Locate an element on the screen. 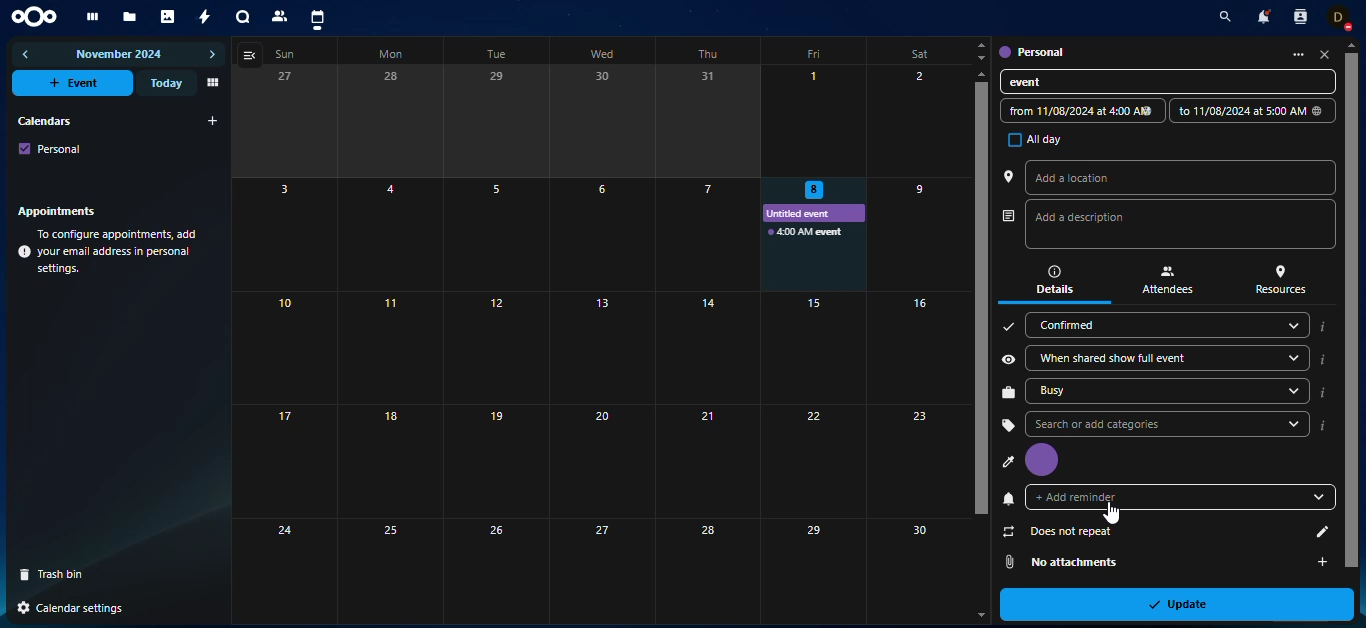 The width and height of the screenshot is (1366, 628). event is located at coordinates (1045, 83).